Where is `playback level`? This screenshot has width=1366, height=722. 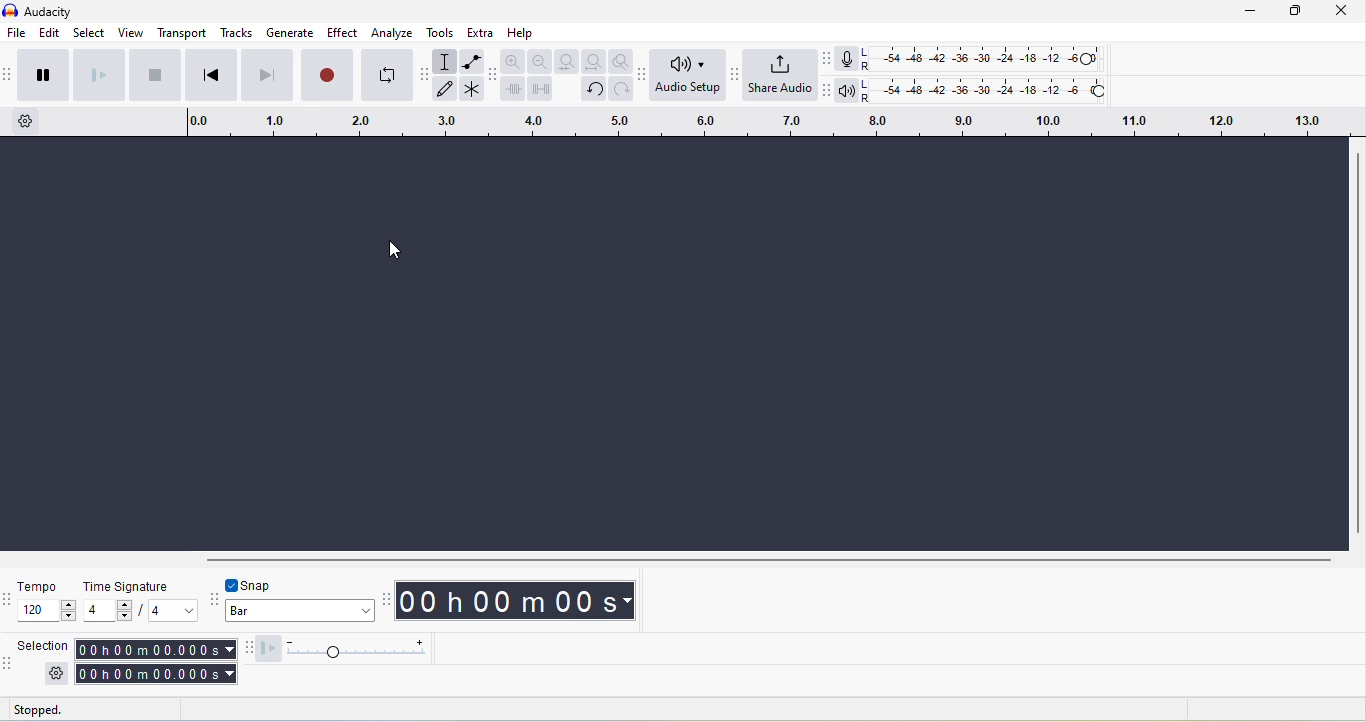 playback level is located at coordinates (984, 91).